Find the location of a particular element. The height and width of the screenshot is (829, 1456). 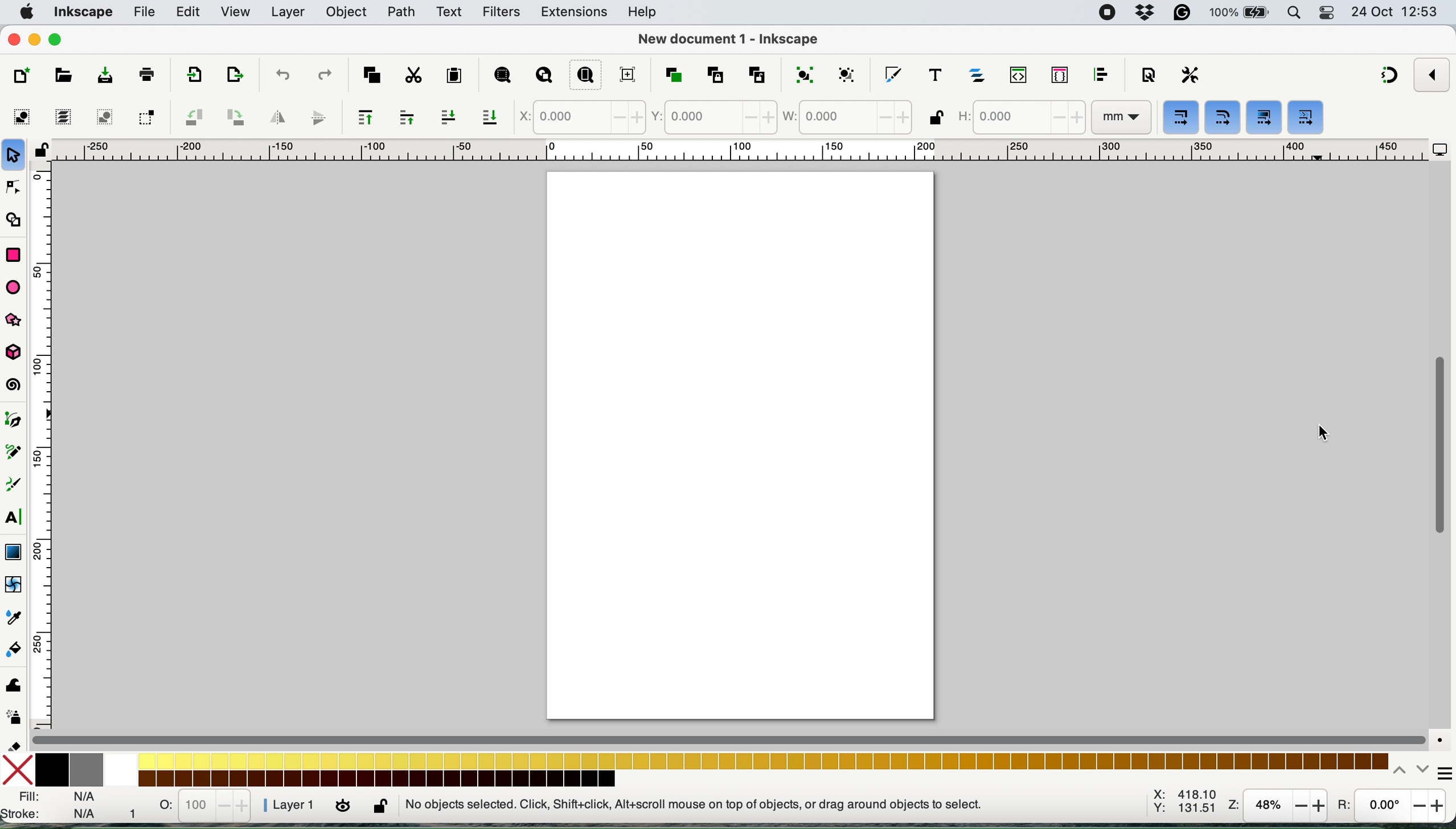

text and font is located at coordinates (935, 73).